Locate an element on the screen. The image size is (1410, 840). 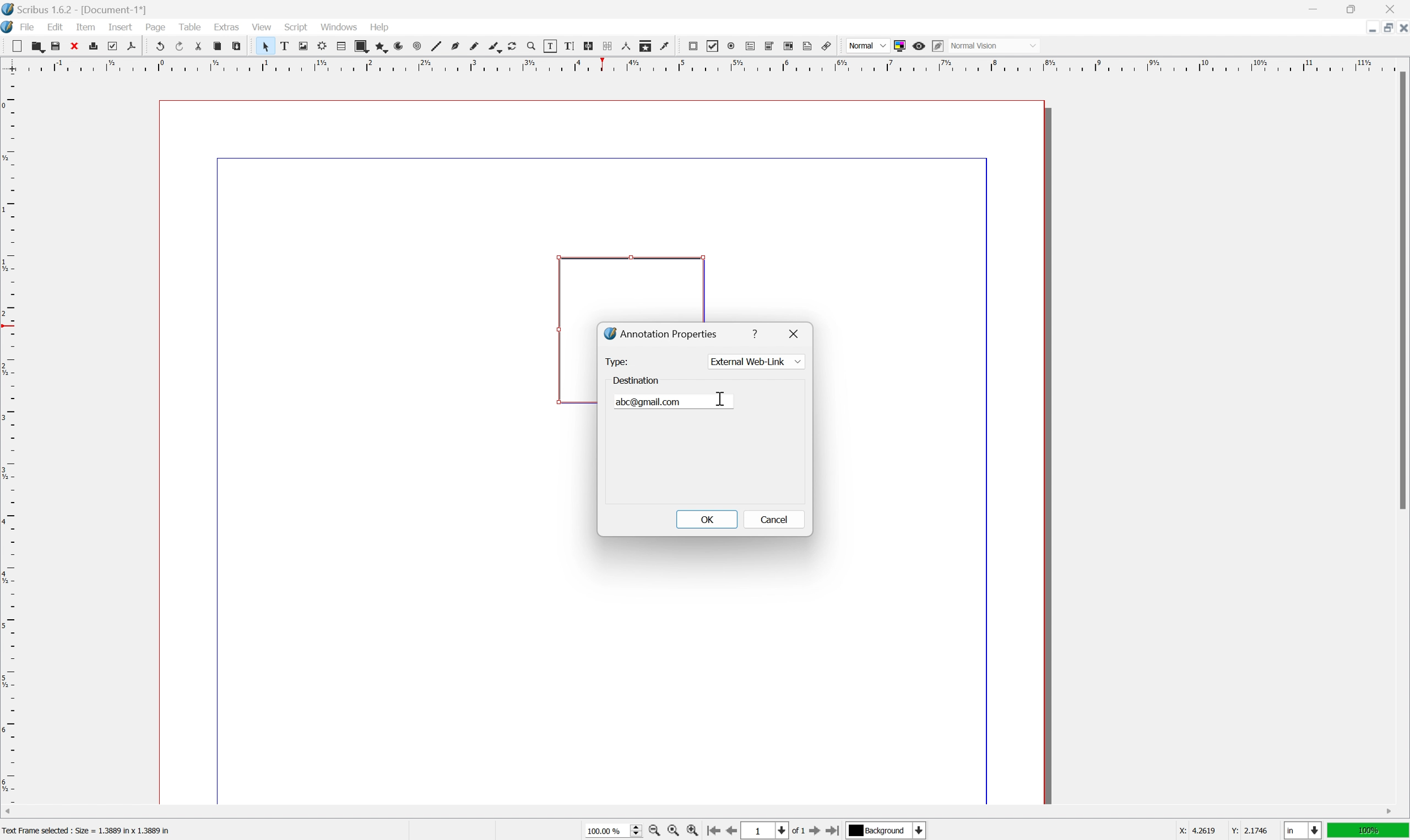
type: is located at coordinates (619, 362).